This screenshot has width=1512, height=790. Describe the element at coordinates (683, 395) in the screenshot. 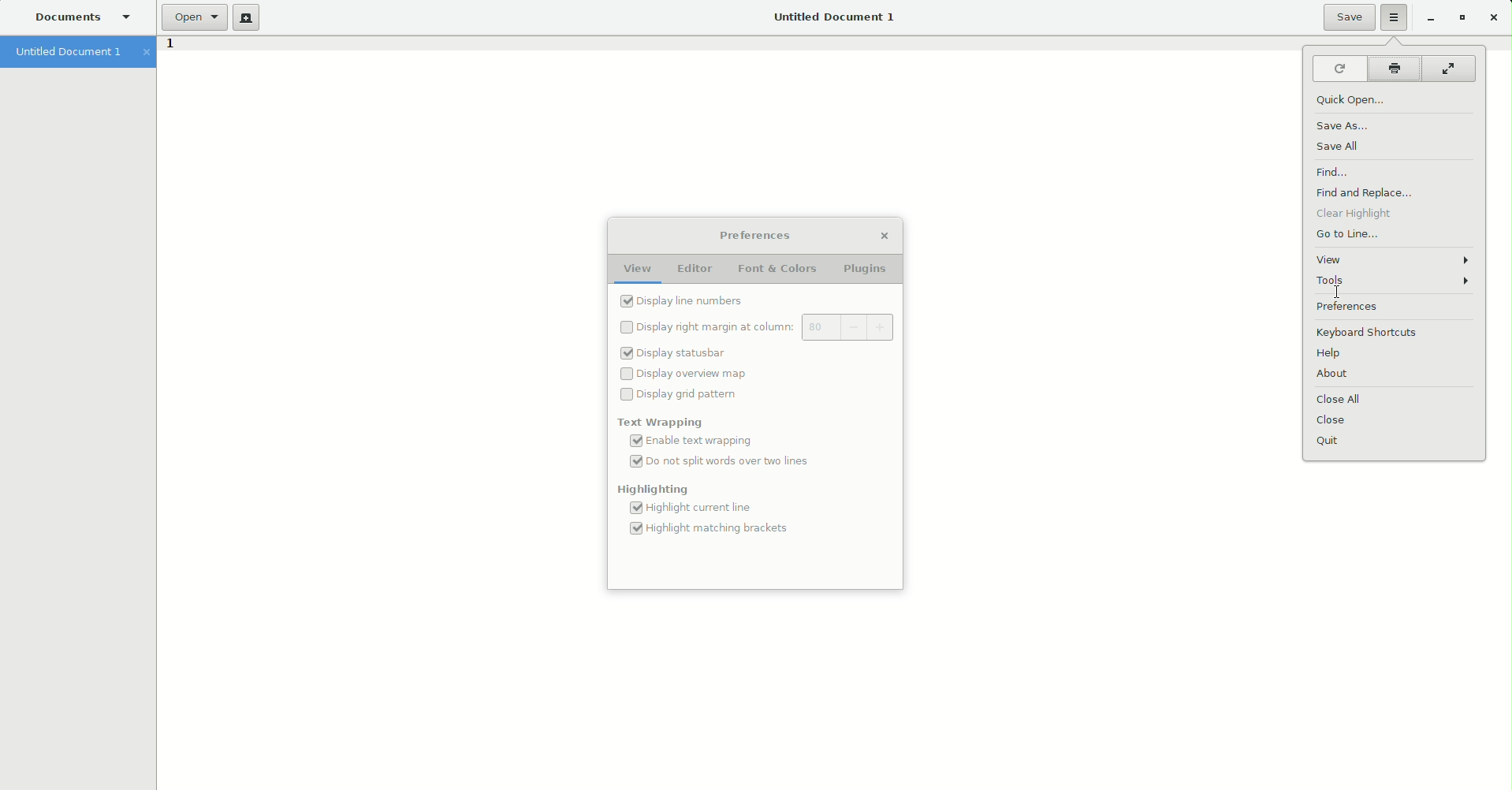

I see `Display grid pattern` at that location.